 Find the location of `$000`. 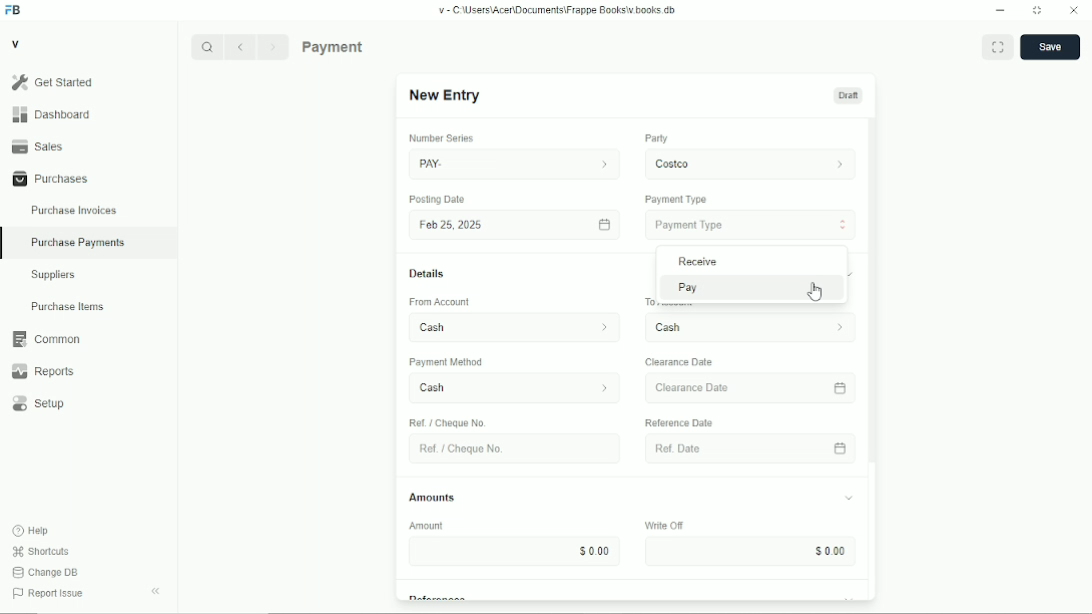

$000 is located at coordinates (519, 551).